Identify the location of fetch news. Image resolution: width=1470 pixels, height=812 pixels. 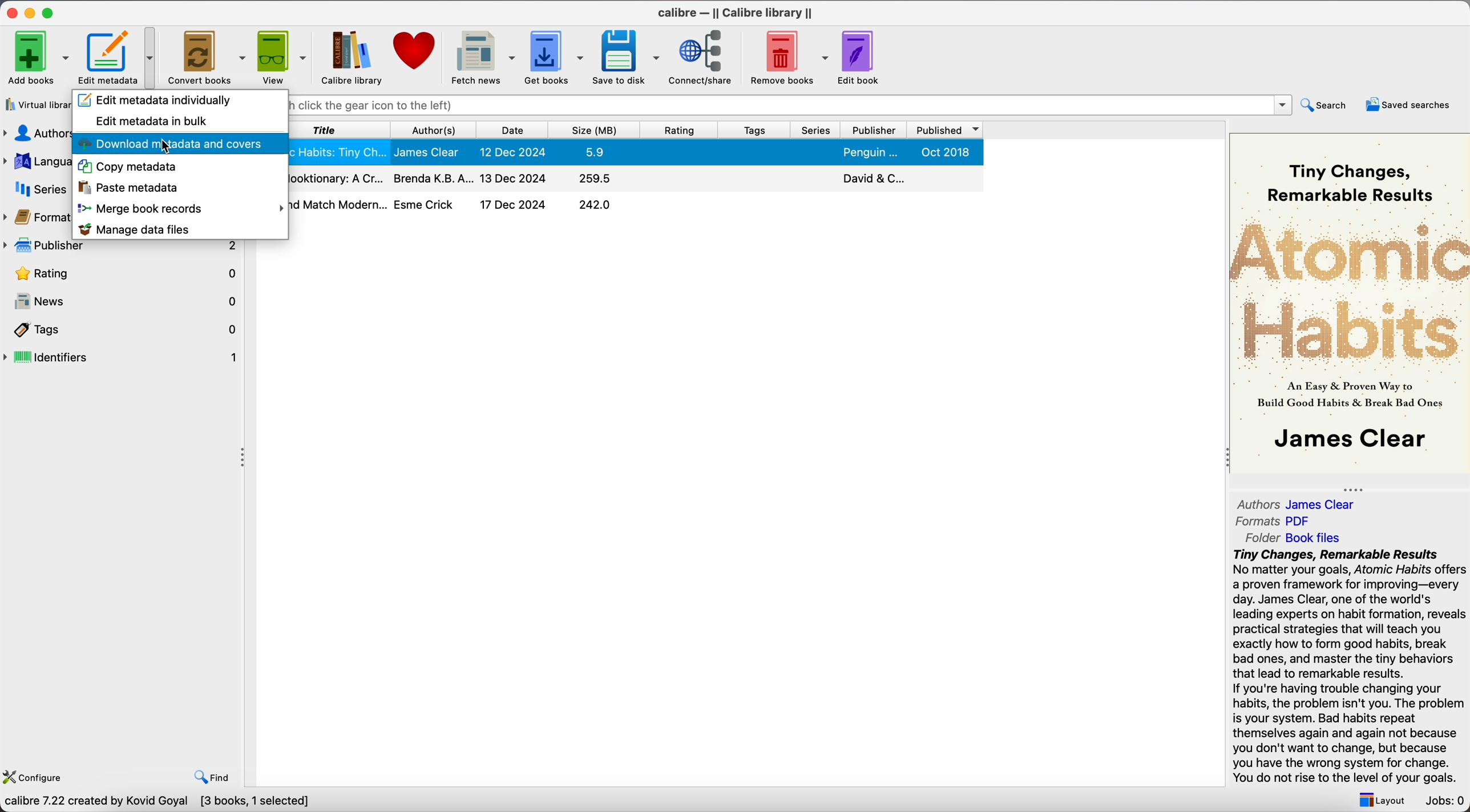
(482, 58).